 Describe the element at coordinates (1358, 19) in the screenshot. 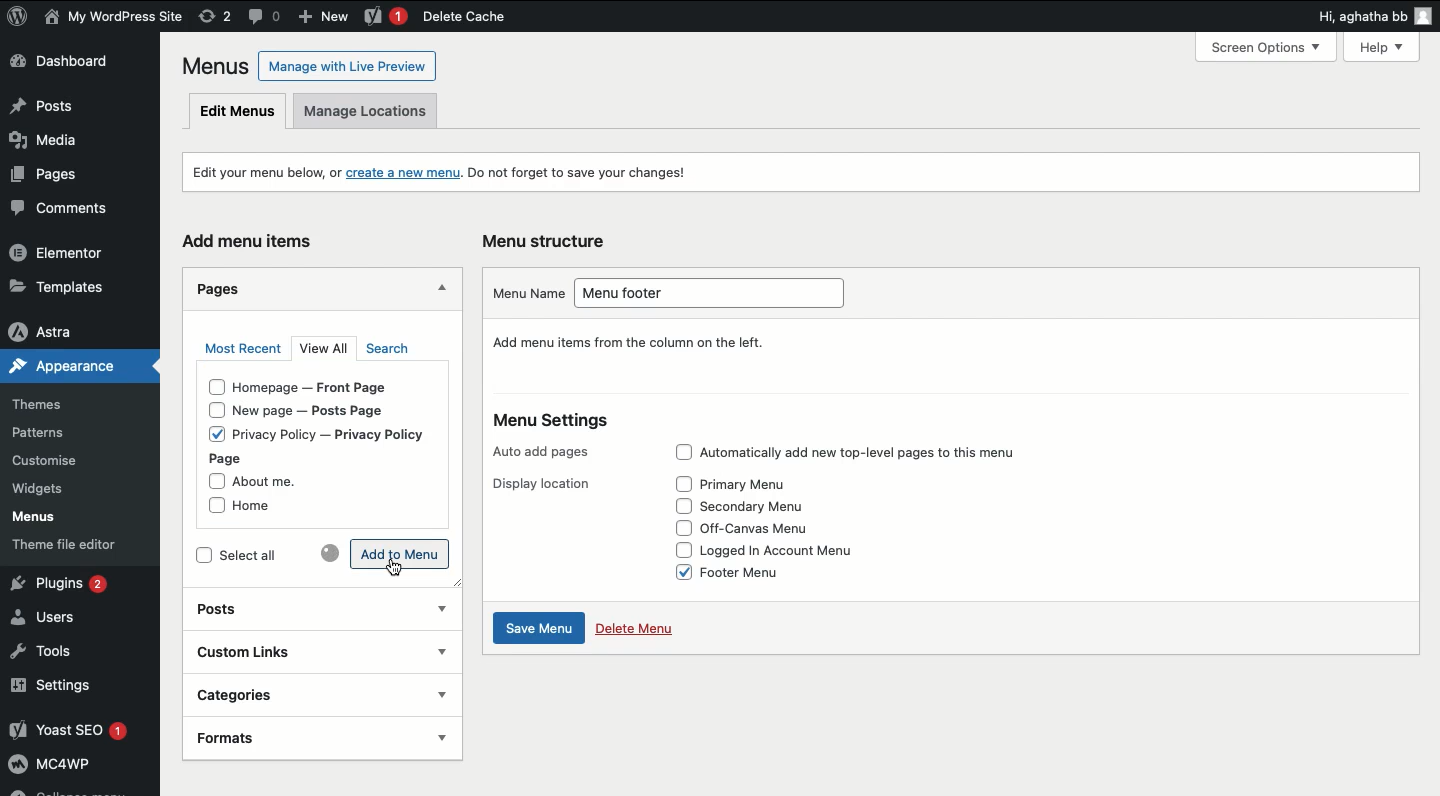

I see `Hi, agatha bb` at that location.